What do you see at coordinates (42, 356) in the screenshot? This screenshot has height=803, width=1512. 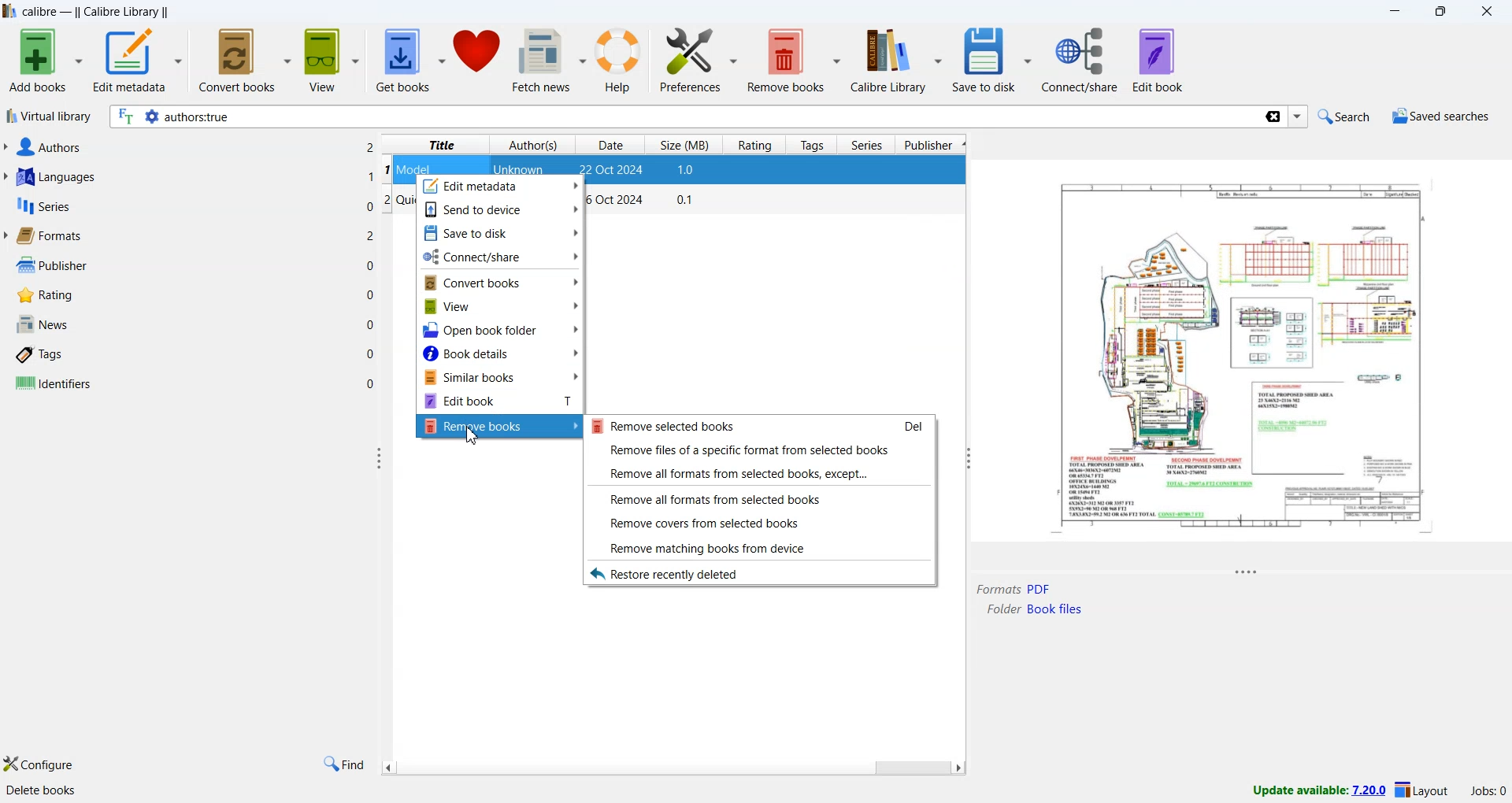 I see `tags` at bounding box center [42, 356].